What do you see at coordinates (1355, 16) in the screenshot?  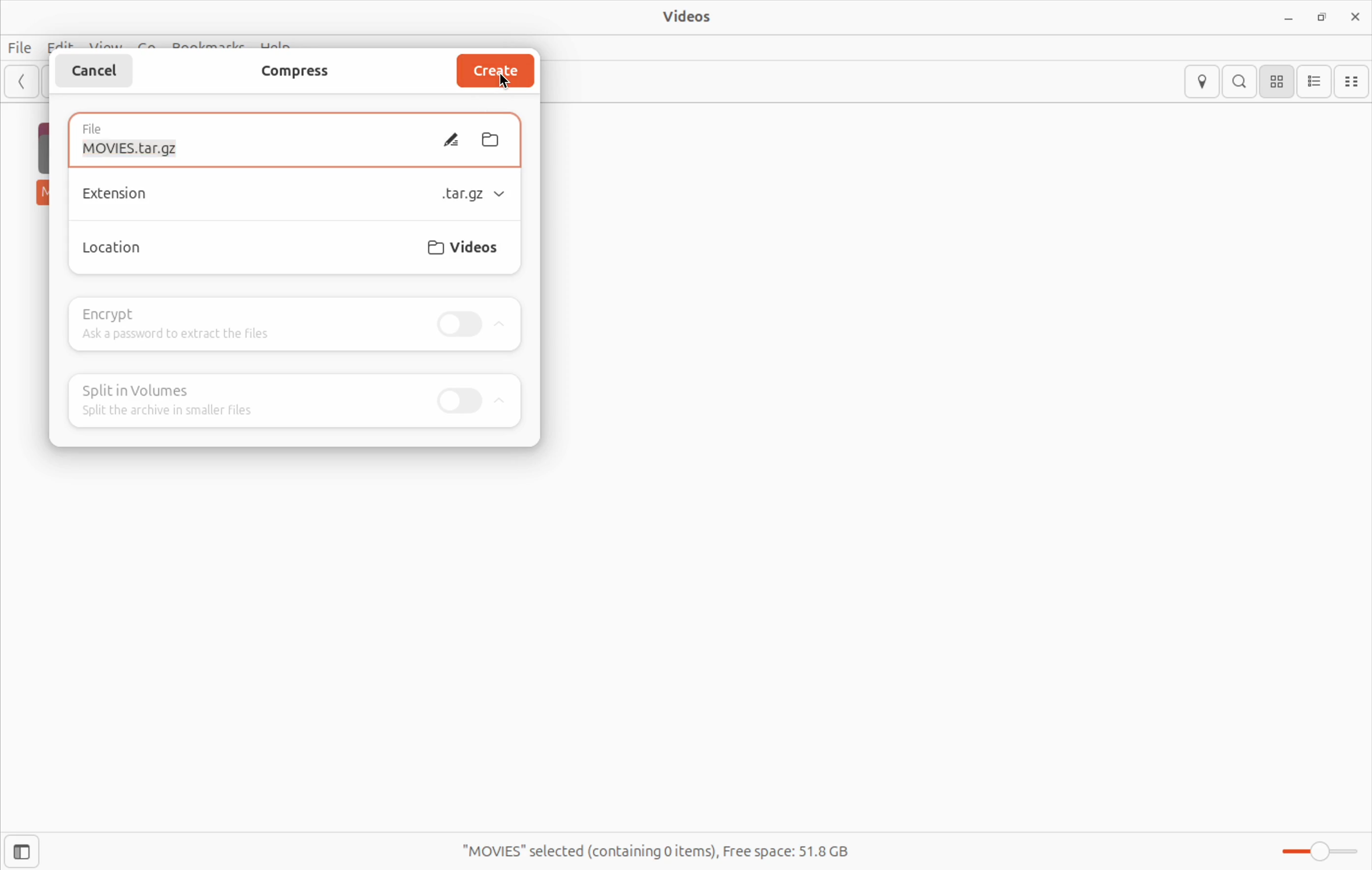 I see `close` at bounding box center [1355, 16].